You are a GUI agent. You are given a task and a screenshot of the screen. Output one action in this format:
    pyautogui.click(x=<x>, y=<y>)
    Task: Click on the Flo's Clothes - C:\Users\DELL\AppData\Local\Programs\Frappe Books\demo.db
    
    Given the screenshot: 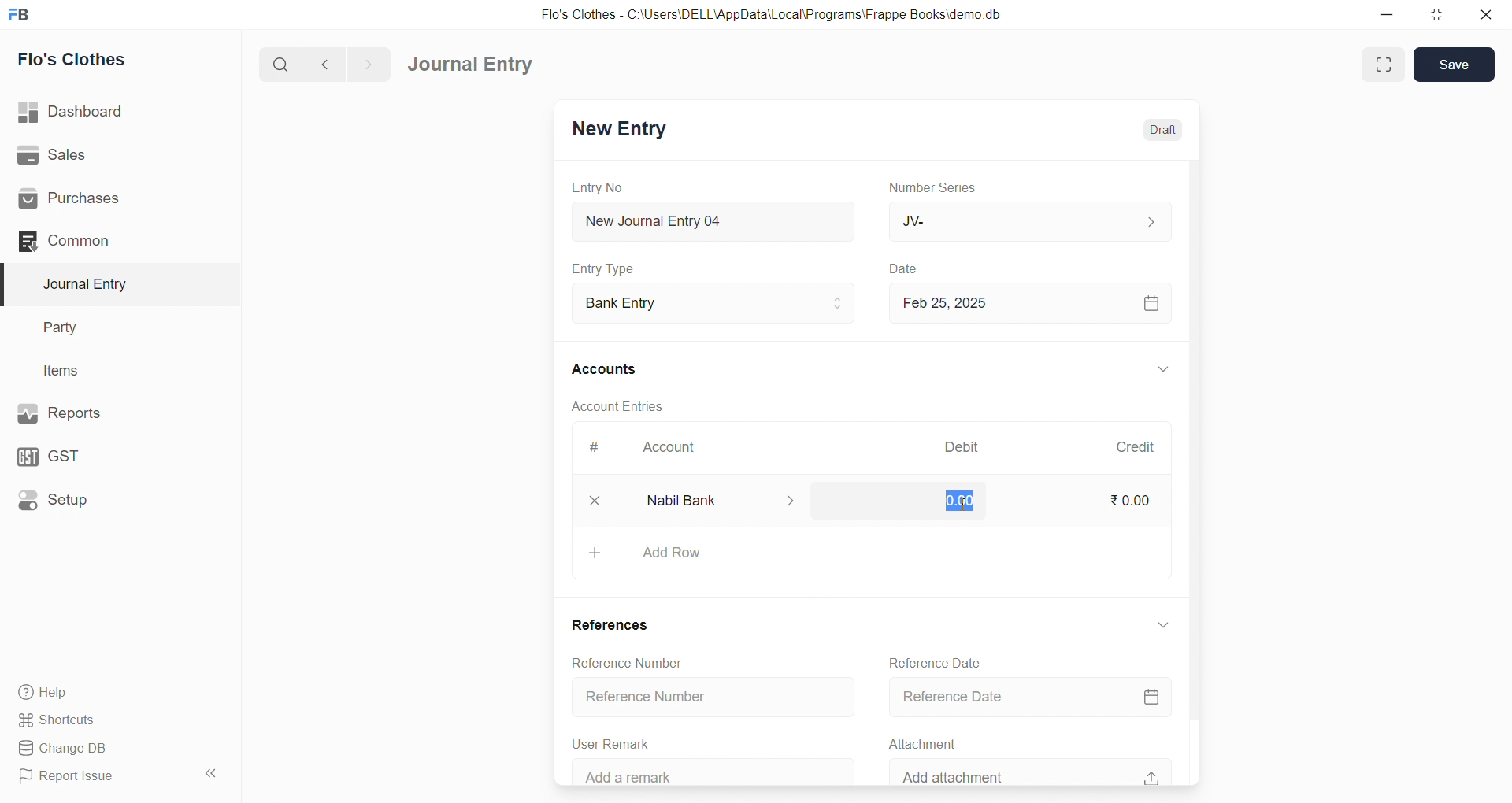 What is the action you would take?
    pyautogui.click(x=783, y=16)
    